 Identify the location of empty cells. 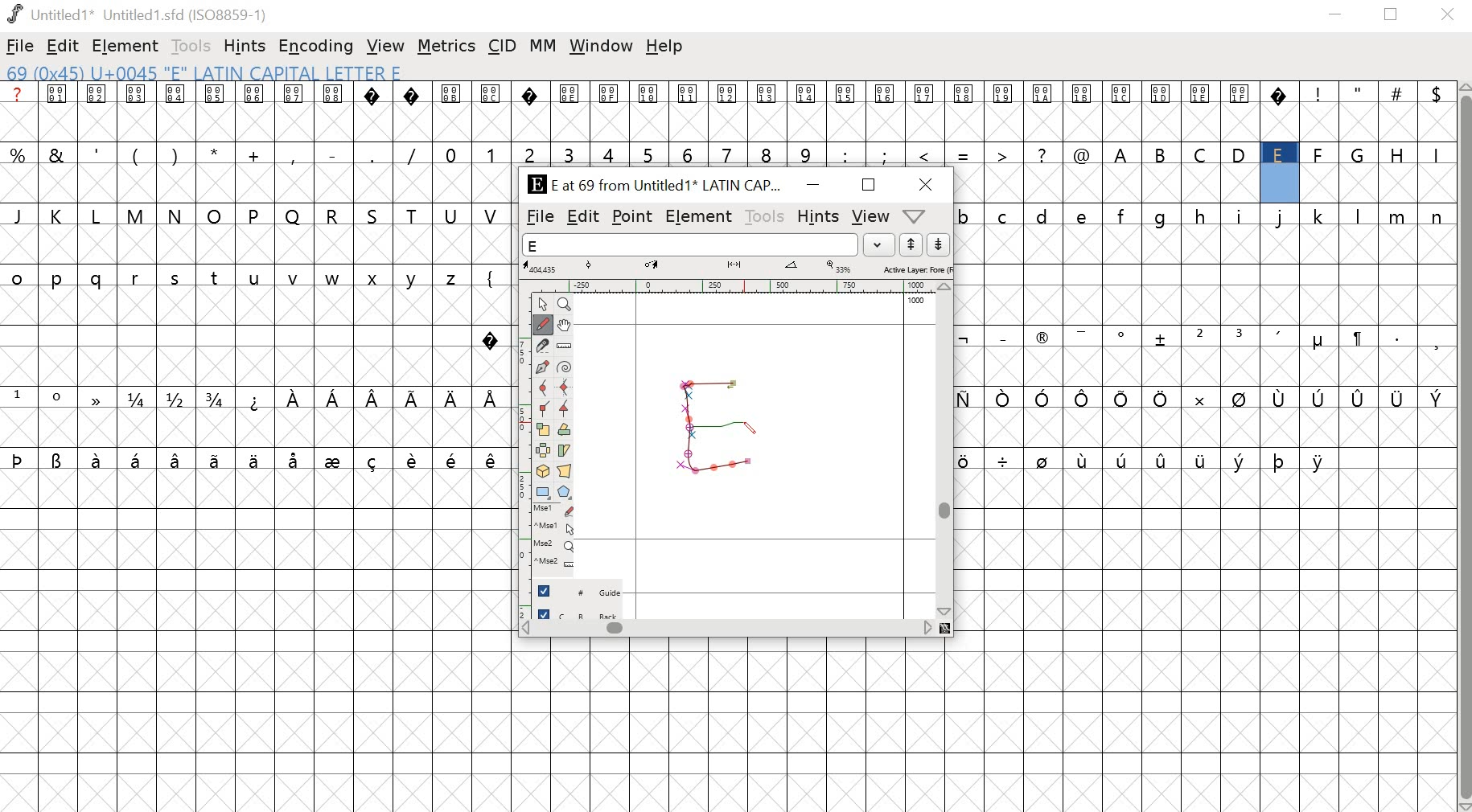
(1208, 184).